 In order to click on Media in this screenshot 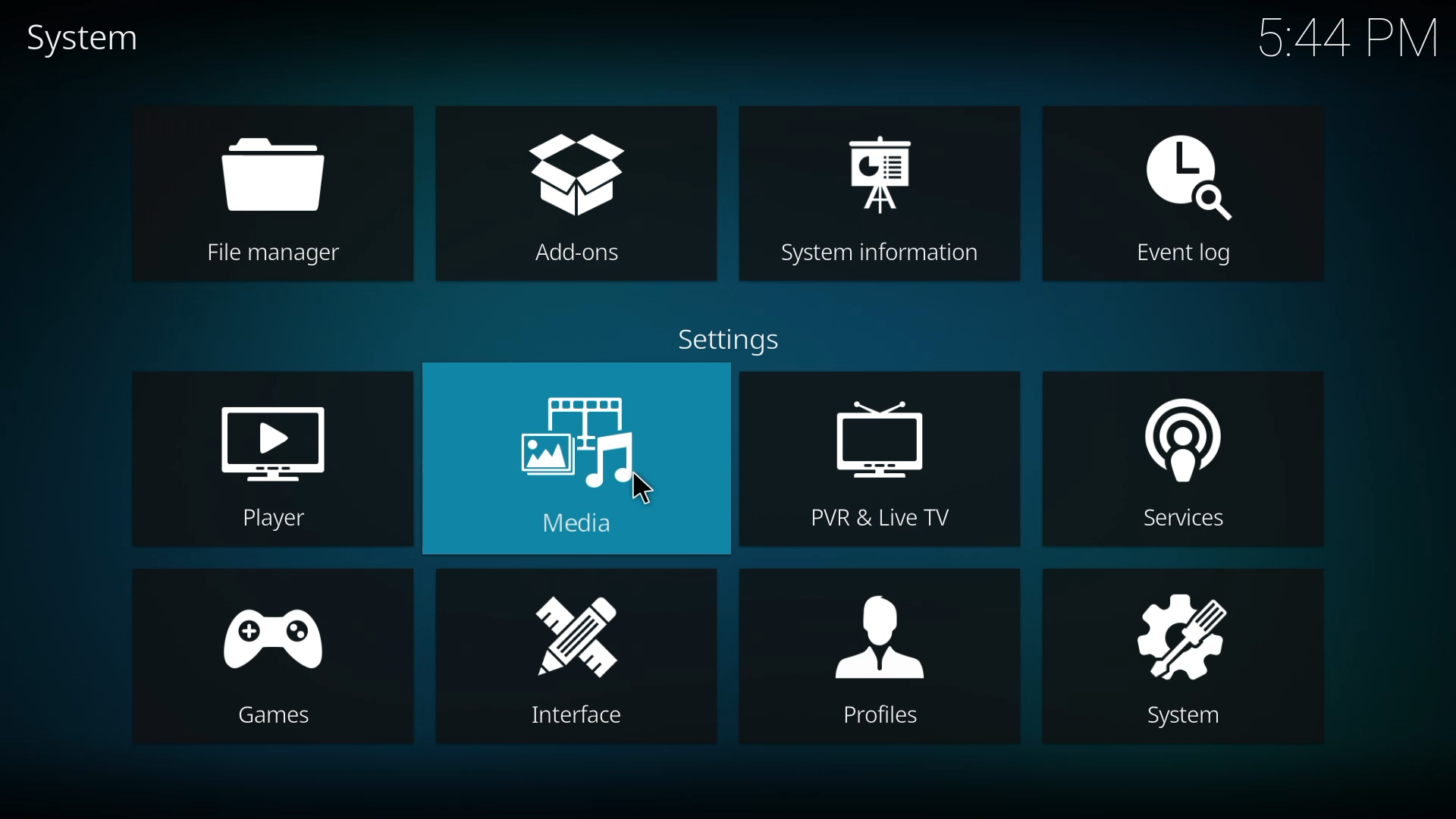, I will do `click(582, 527)`.